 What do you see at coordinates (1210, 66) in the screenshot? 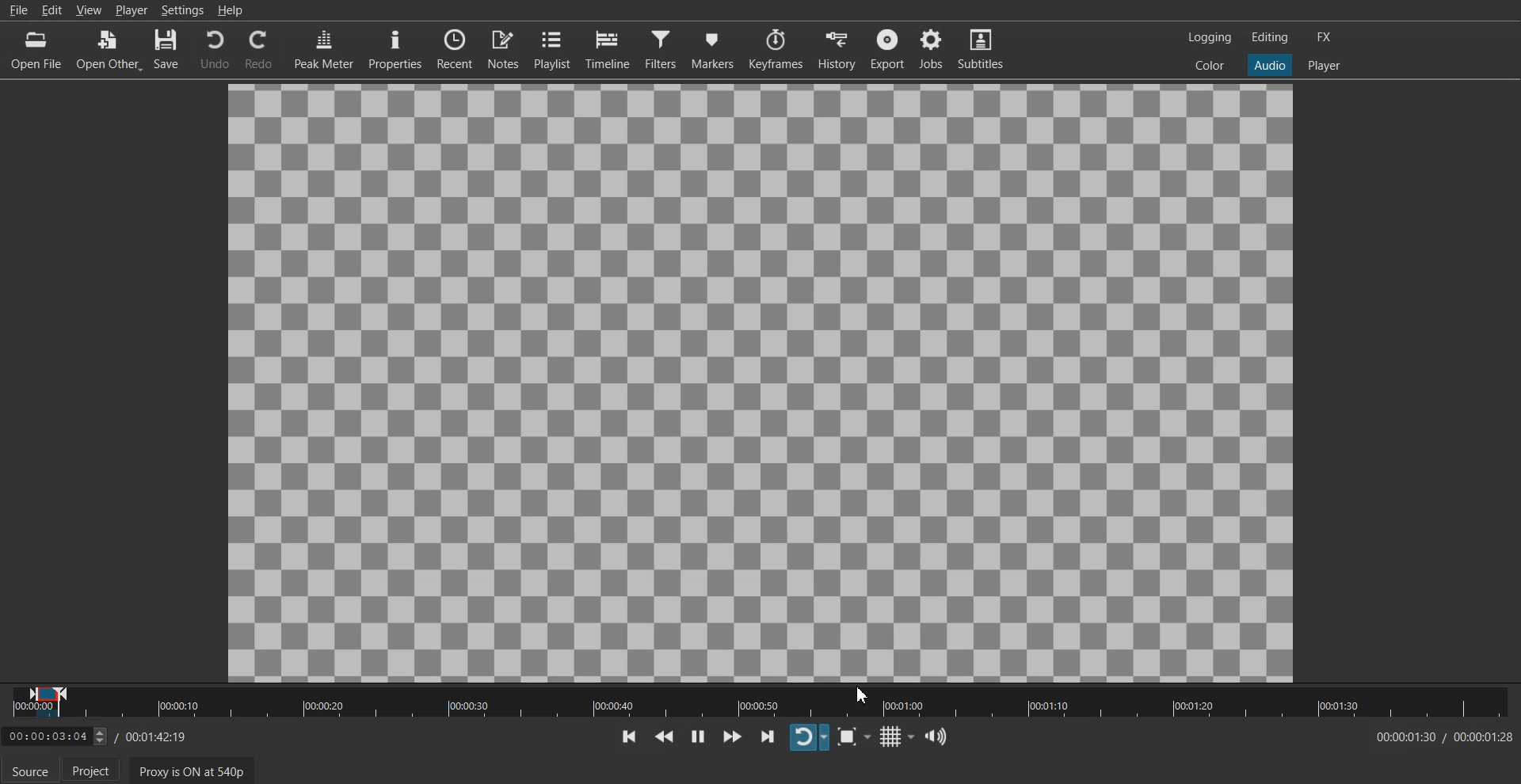
I see `Color` at bounding box center [1210, 66].